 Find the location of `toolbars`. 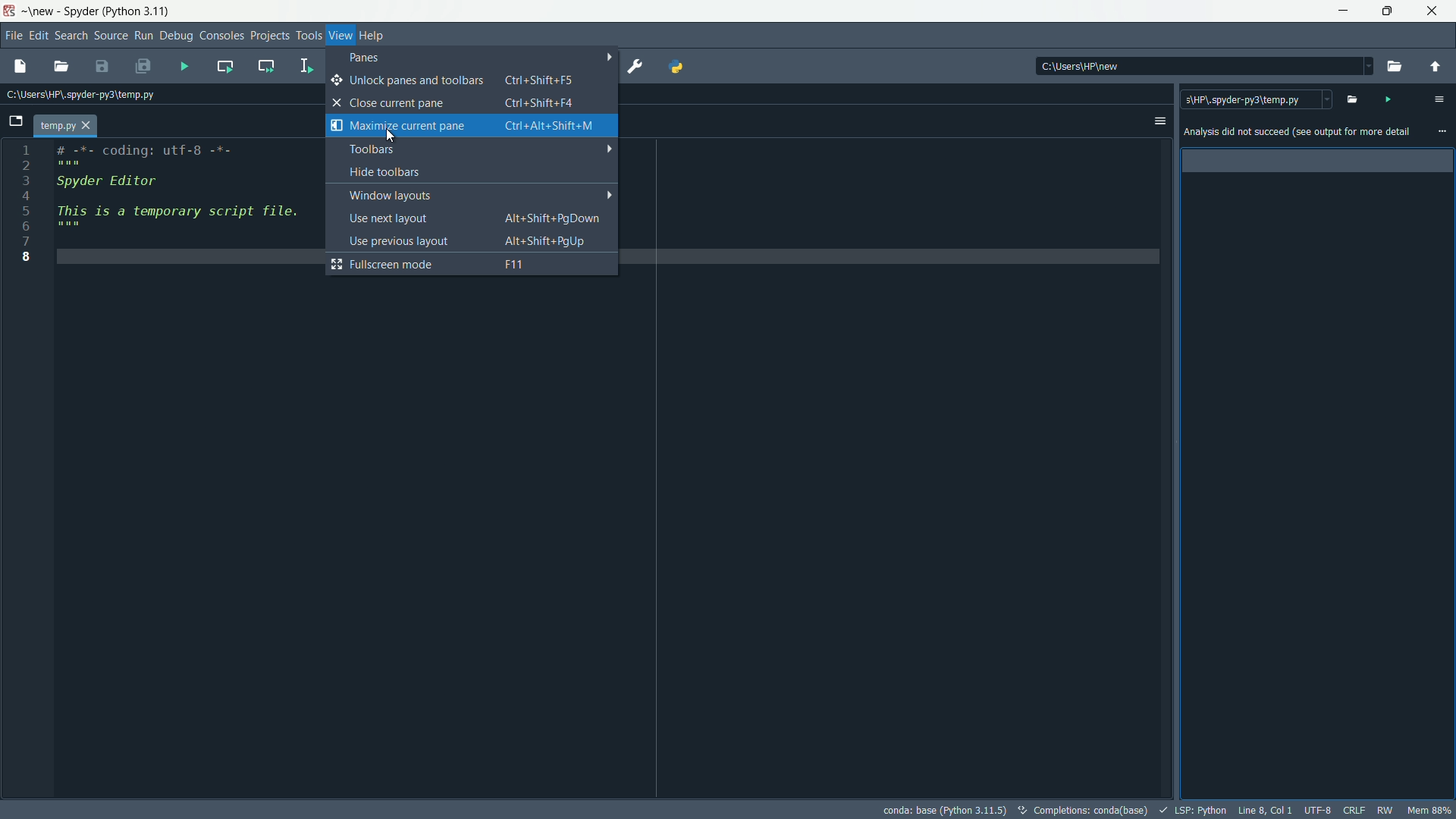

toolbars is located at coordinates (469, 149).